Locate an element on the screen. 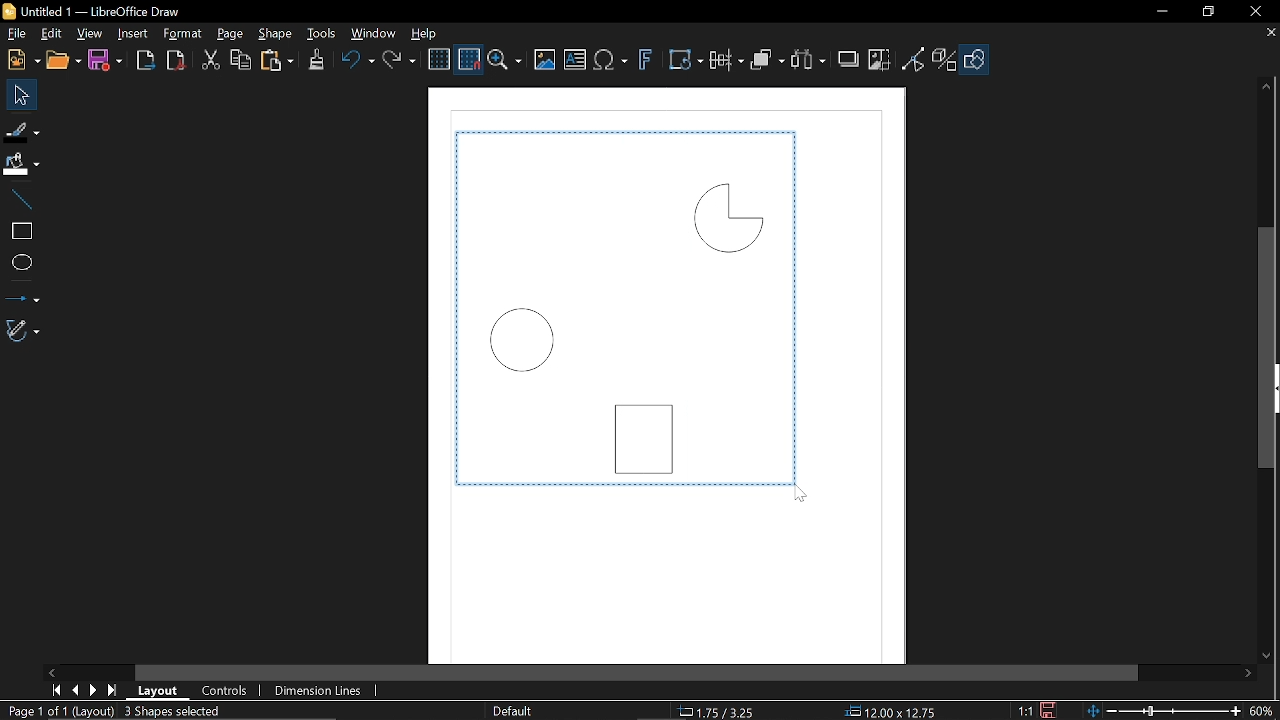 The height and width of the screenshot is (720, 1280). undo is located at coordinates (359, 62).